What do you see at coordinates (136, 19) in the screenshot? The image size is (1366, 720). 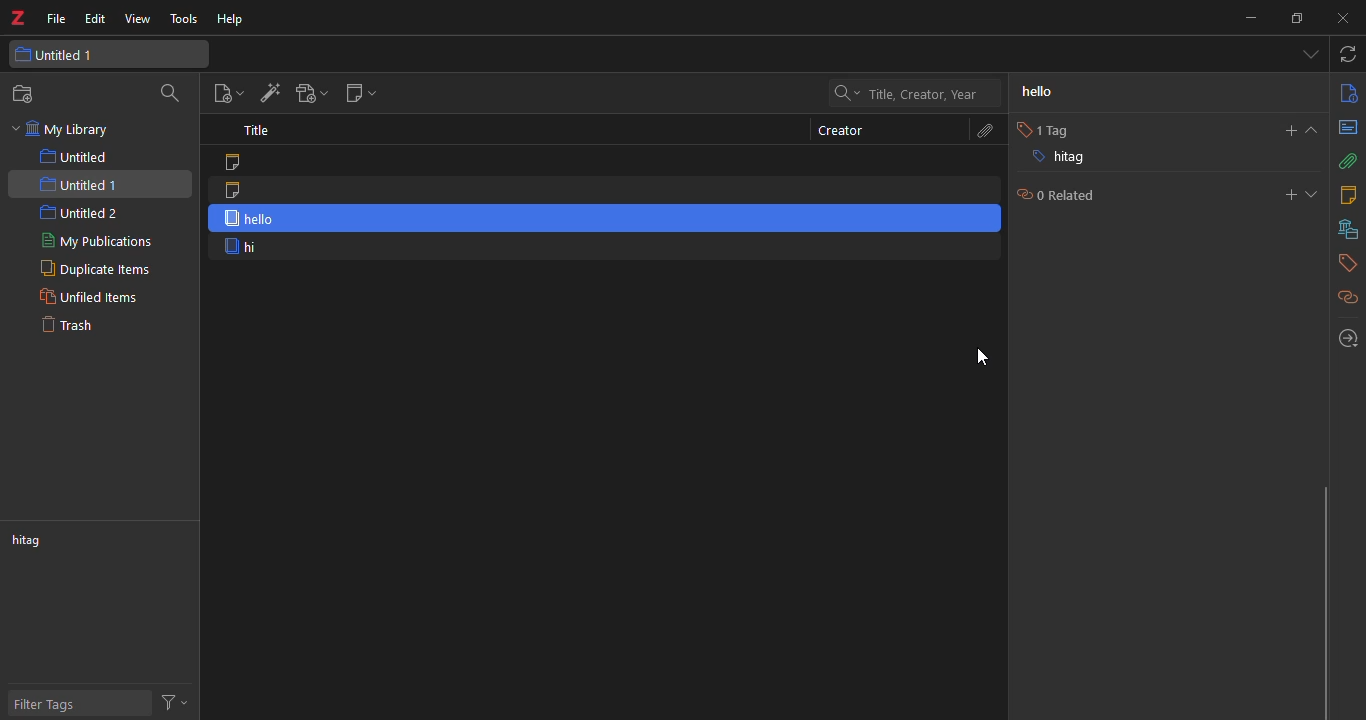 I see `view` at bounding box center [136, 19].